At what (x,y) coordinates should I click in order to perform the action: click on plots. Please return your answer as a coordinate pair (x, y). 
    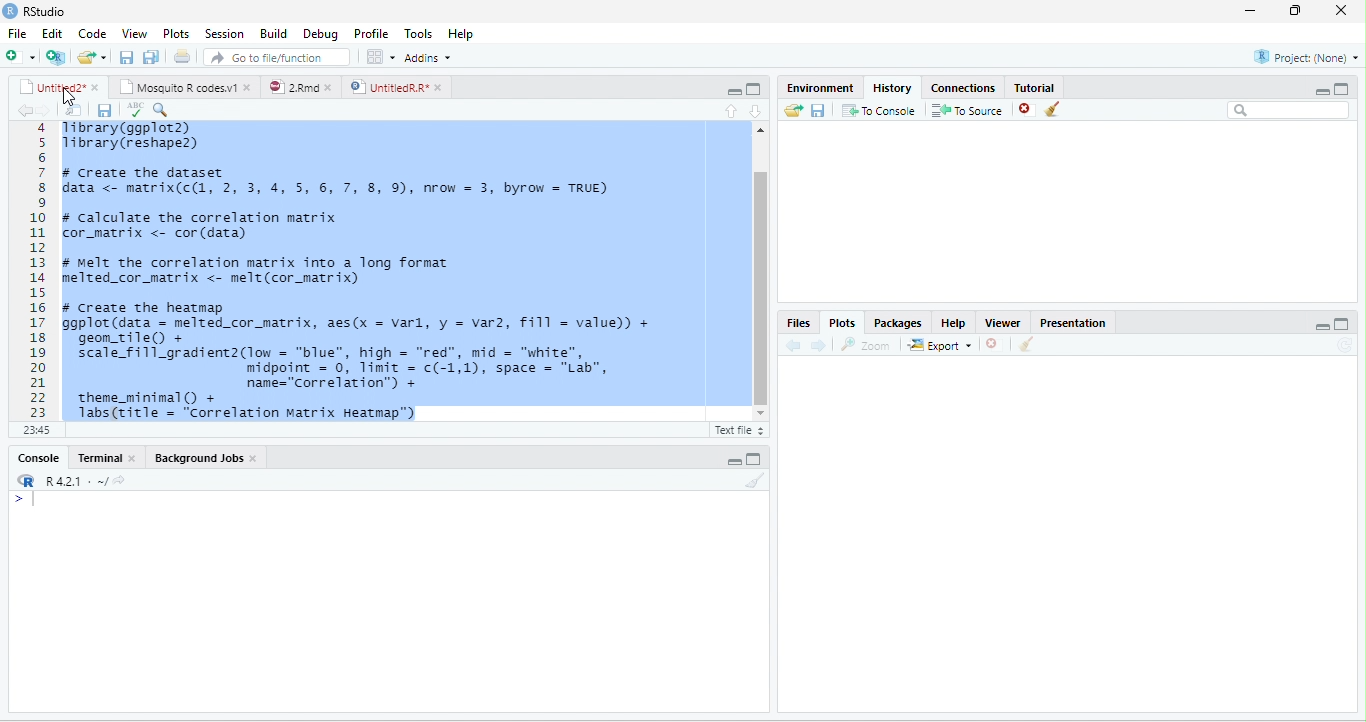
    Looking at the image, I should click on (176, 33).